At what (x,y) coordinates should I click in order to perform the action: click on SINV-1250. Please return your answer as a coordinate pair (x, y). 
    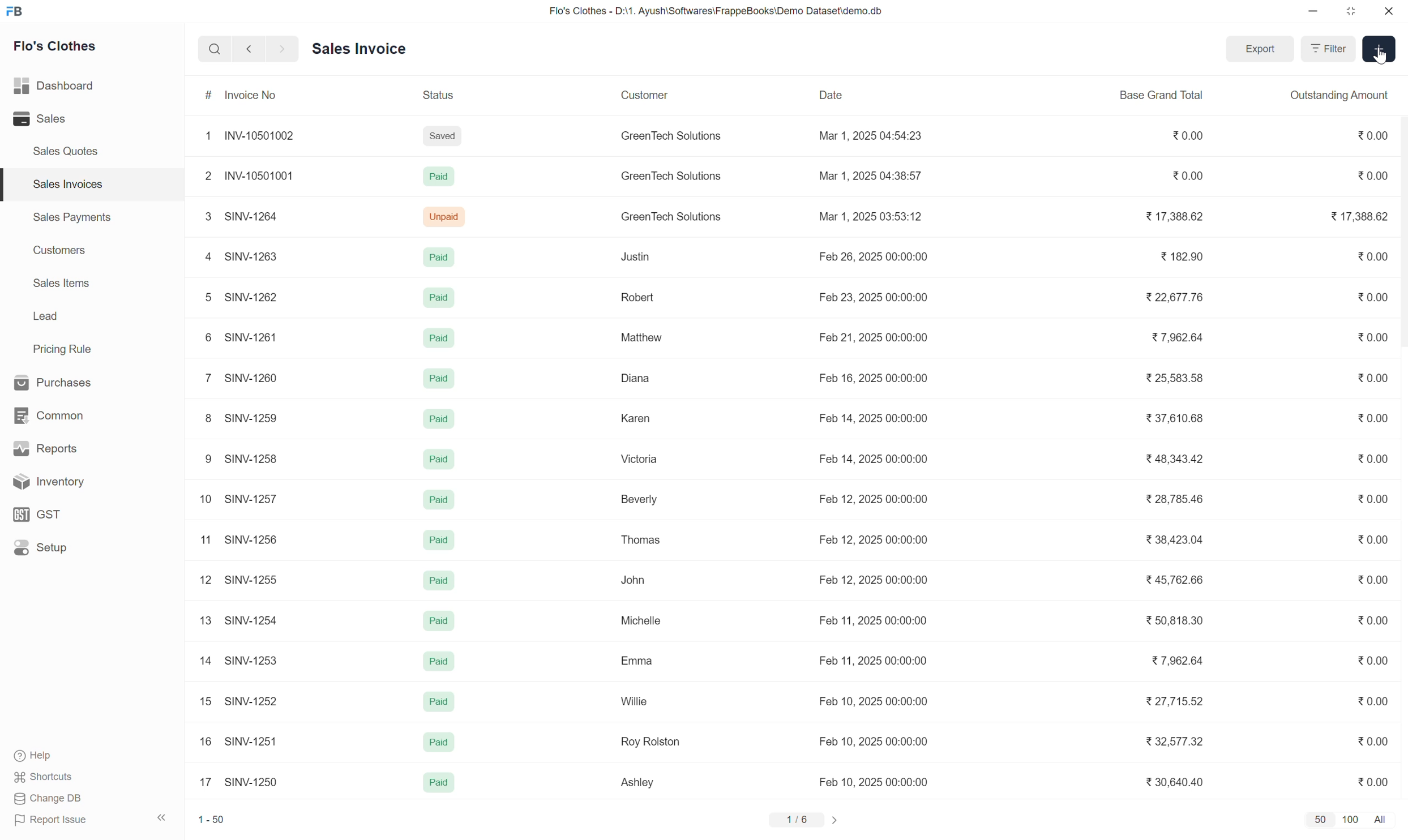
    Looking at the image, I should click on (252, 784).